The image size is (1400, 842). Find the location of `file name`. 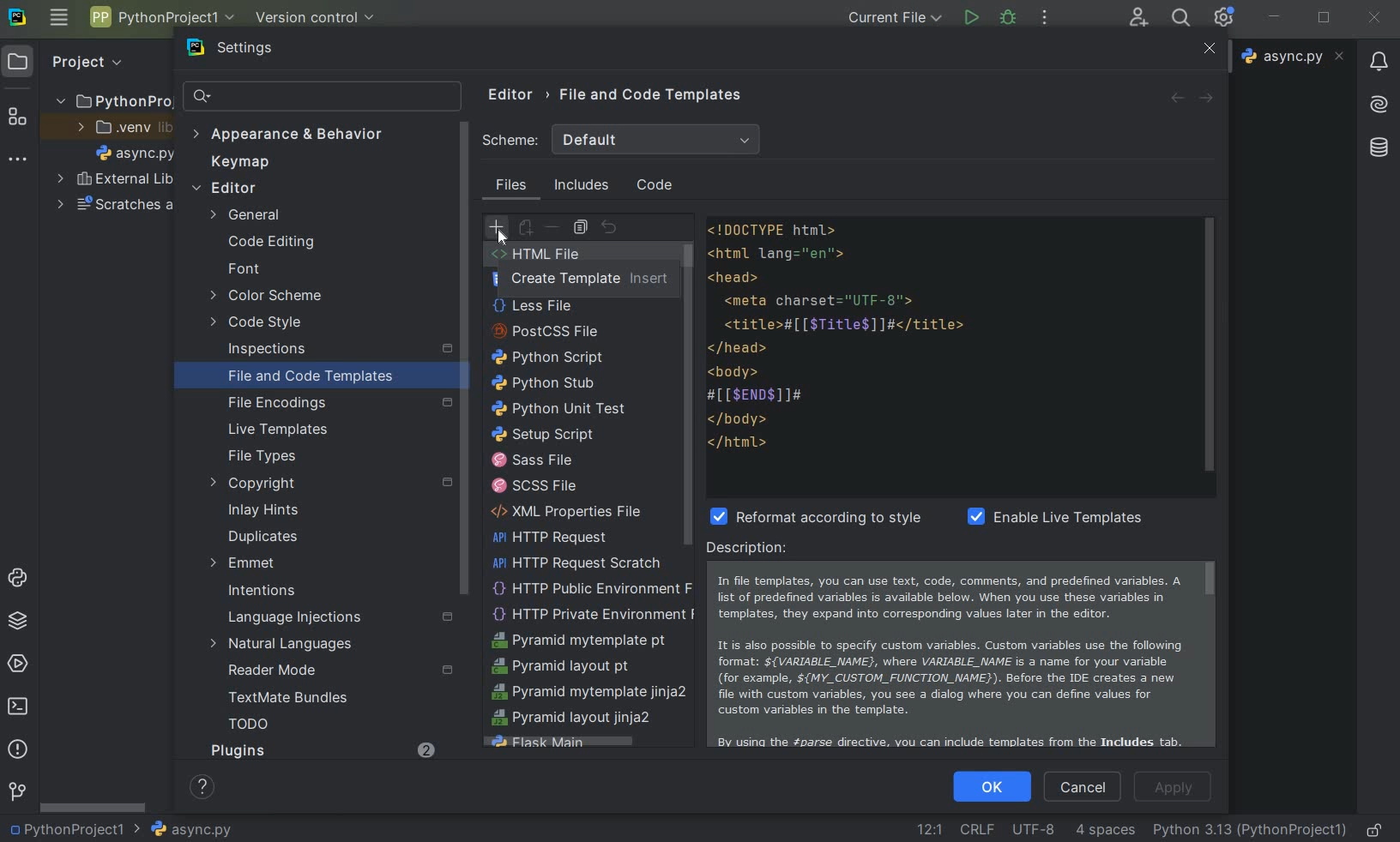

file name is located at coordinates (134, 150).